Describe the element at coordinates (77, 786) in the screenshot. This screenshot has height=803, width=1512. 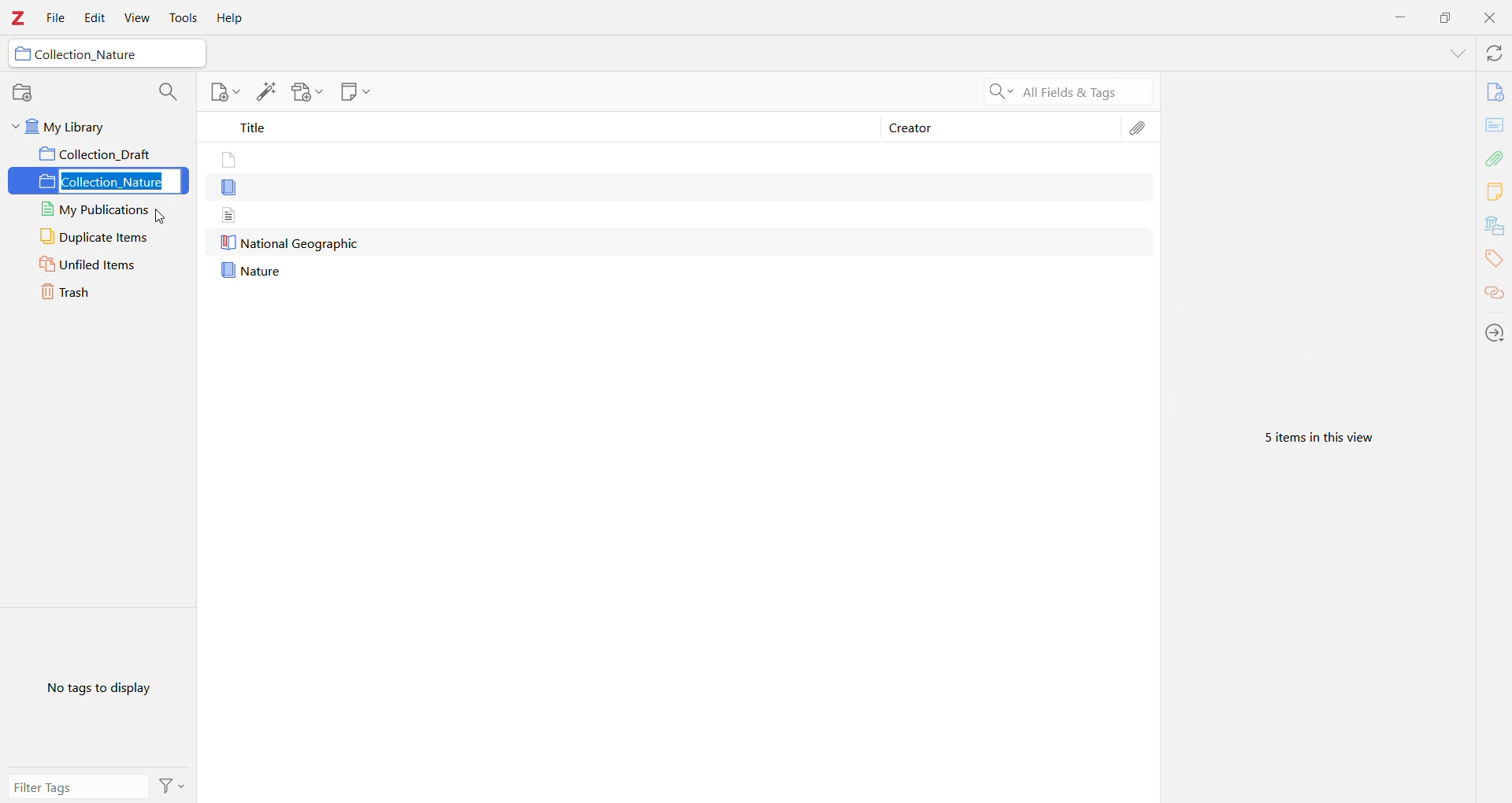
I see `Filter Tags` at that location.